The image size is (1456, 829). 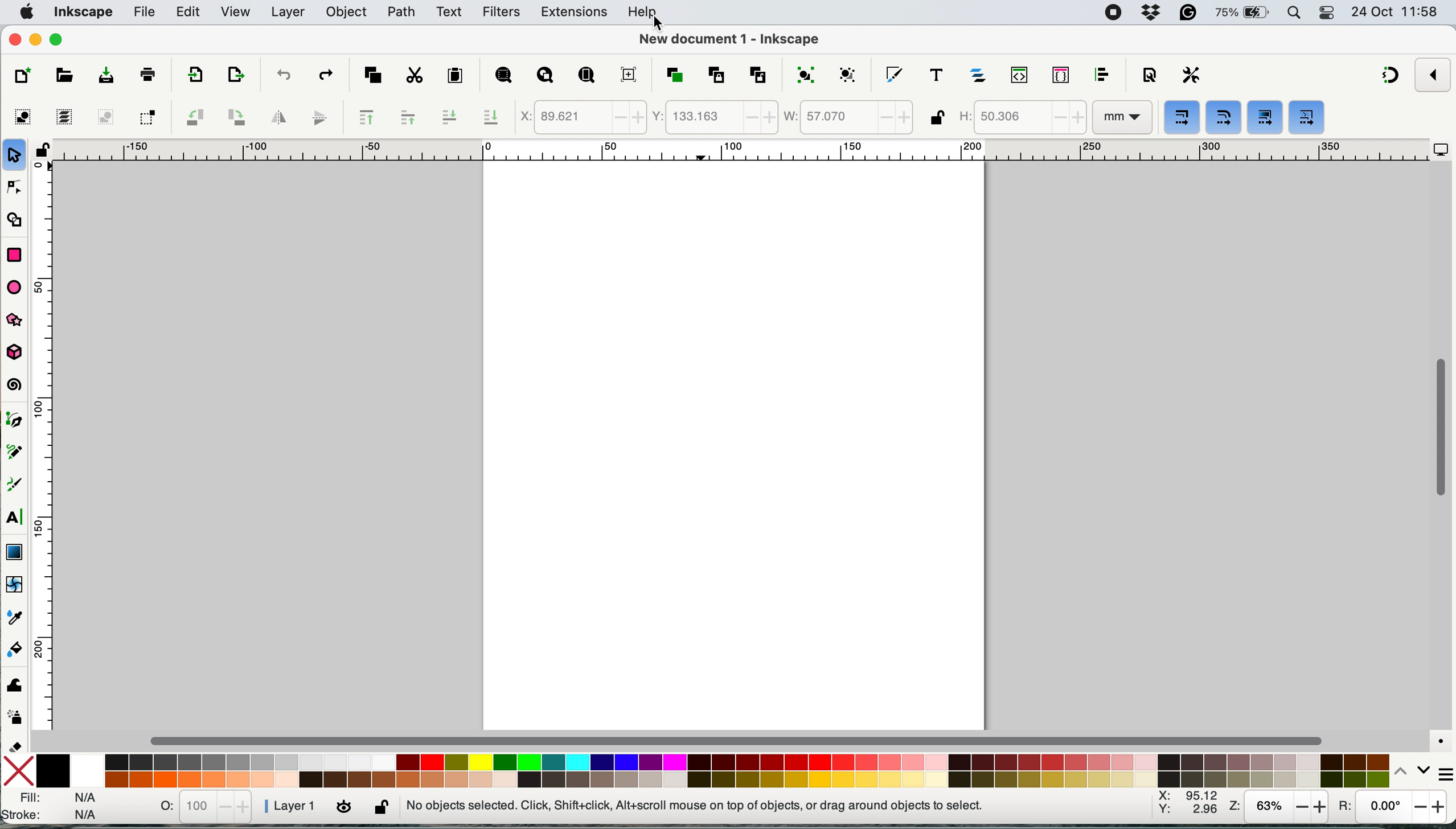 What do you see at coordinates (192, 75) in the screenshot?
I see `import` at bounding box center [192, 75].